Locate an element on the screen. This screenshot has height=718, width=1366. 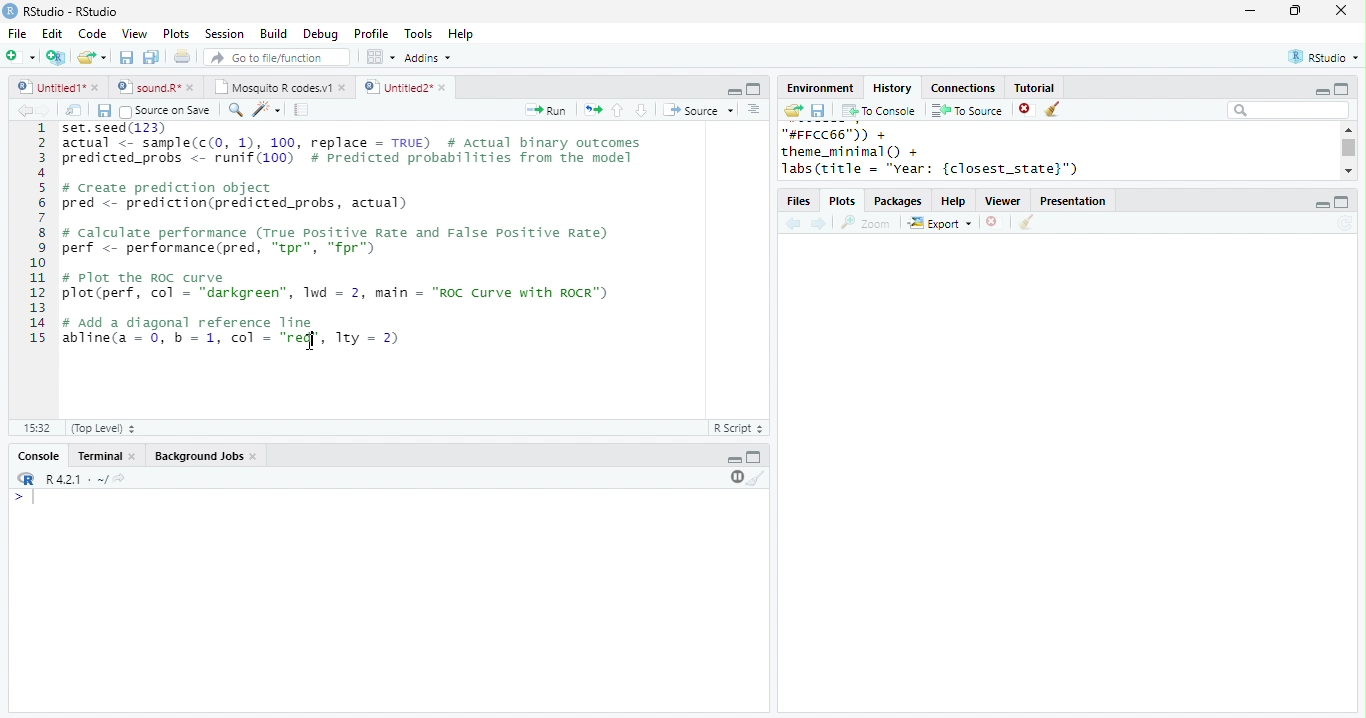
save is located at coordinates (104, 111).